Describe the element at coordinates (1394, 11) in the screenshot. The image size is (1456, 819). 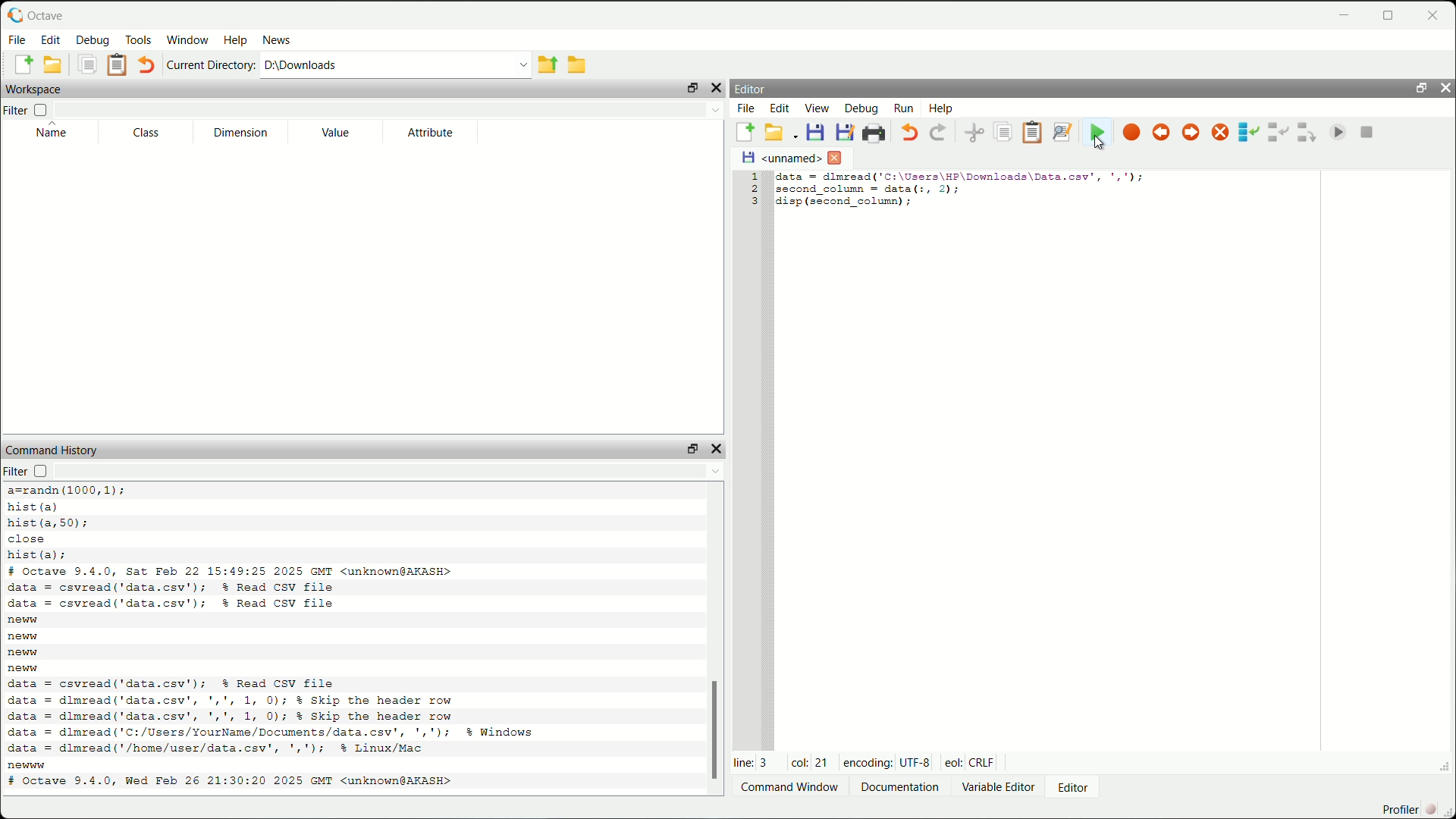
I see `maximize` at that location.